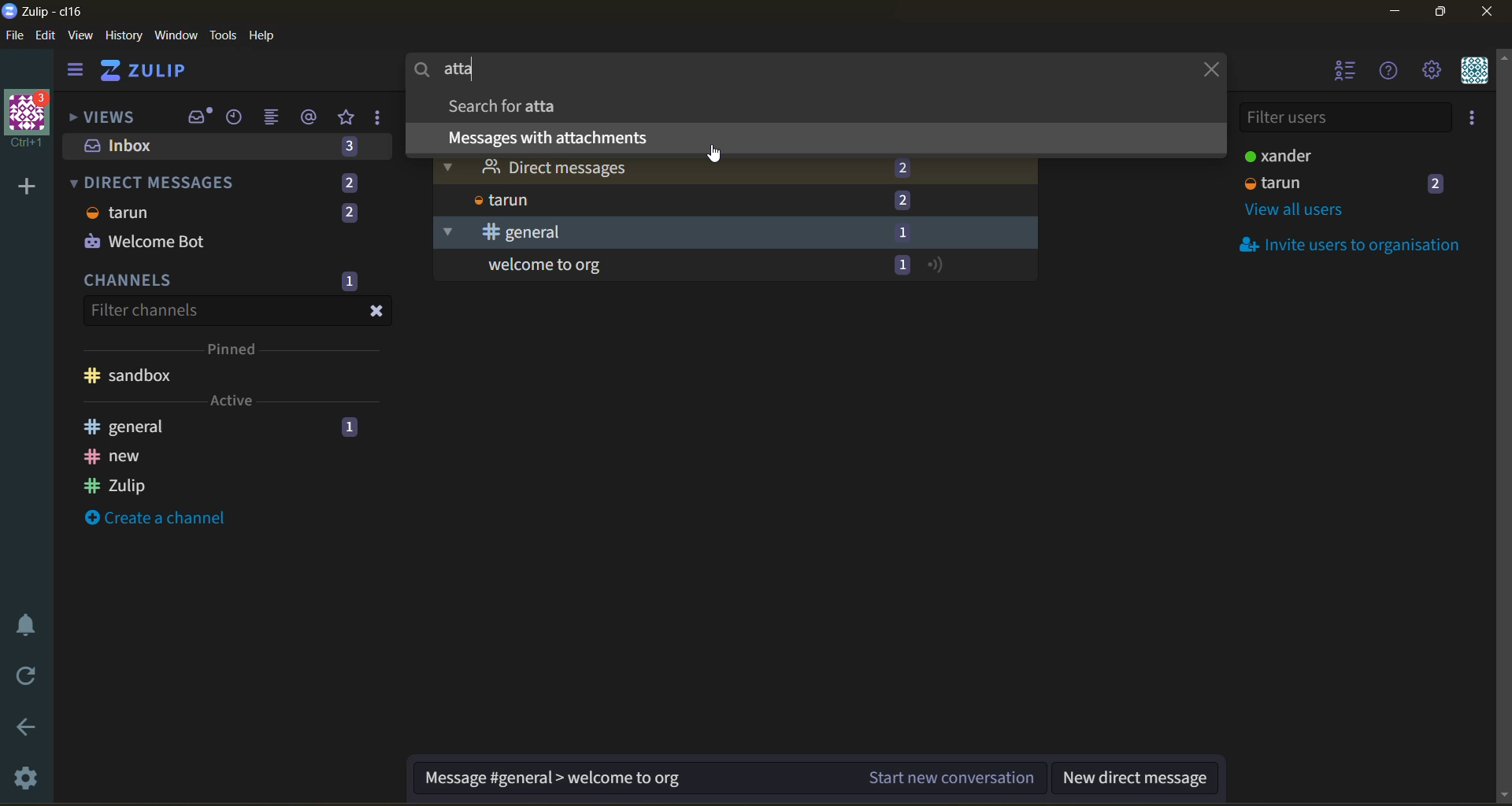 This screenshot has width=1512, height=806. I want to click on hide users list, so click(1342, 70).